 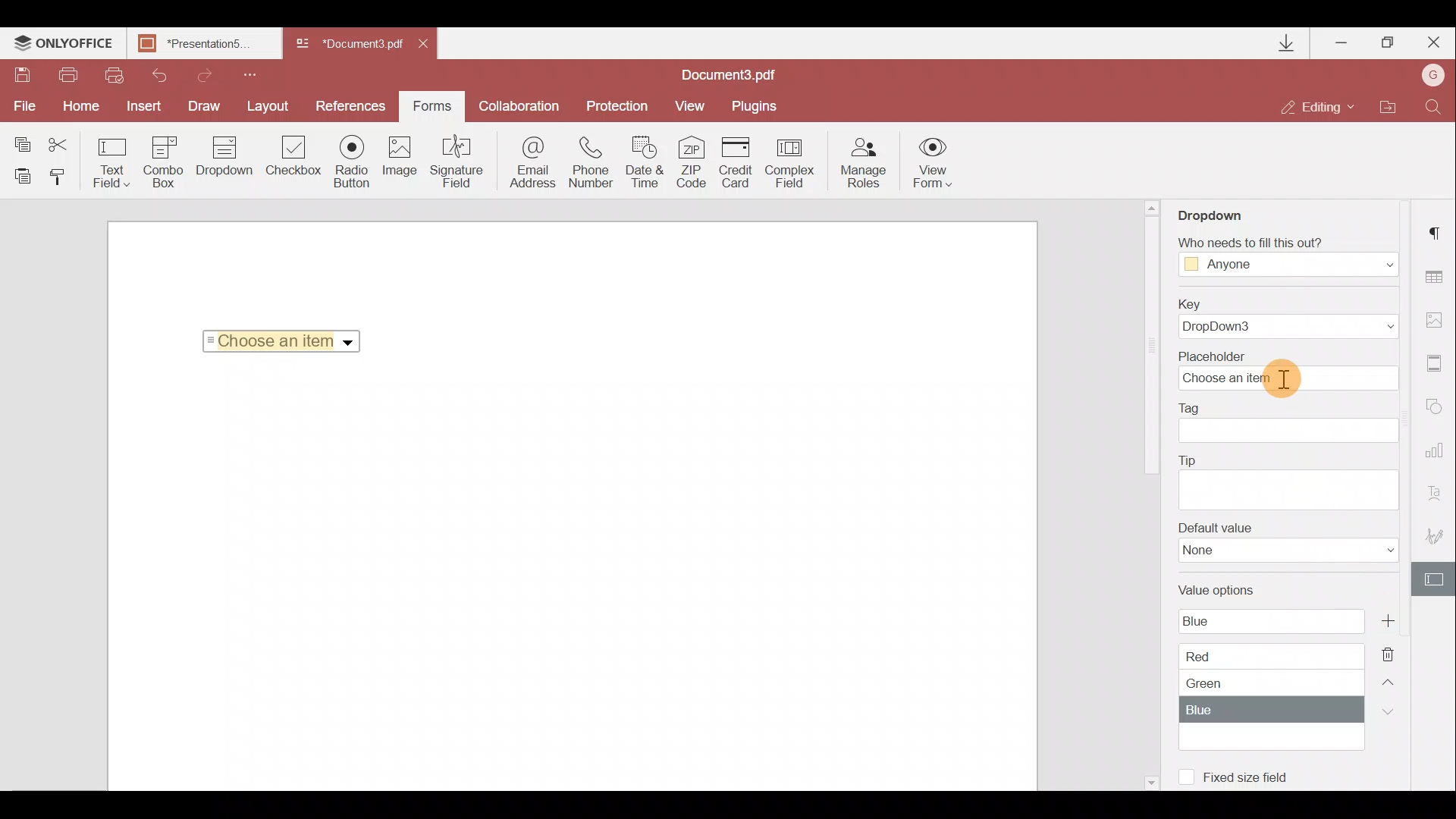 What do you see at coordinates (1285, 257) in the screenshot?
I see `Fill Access` at bounding box center [1285, 257].